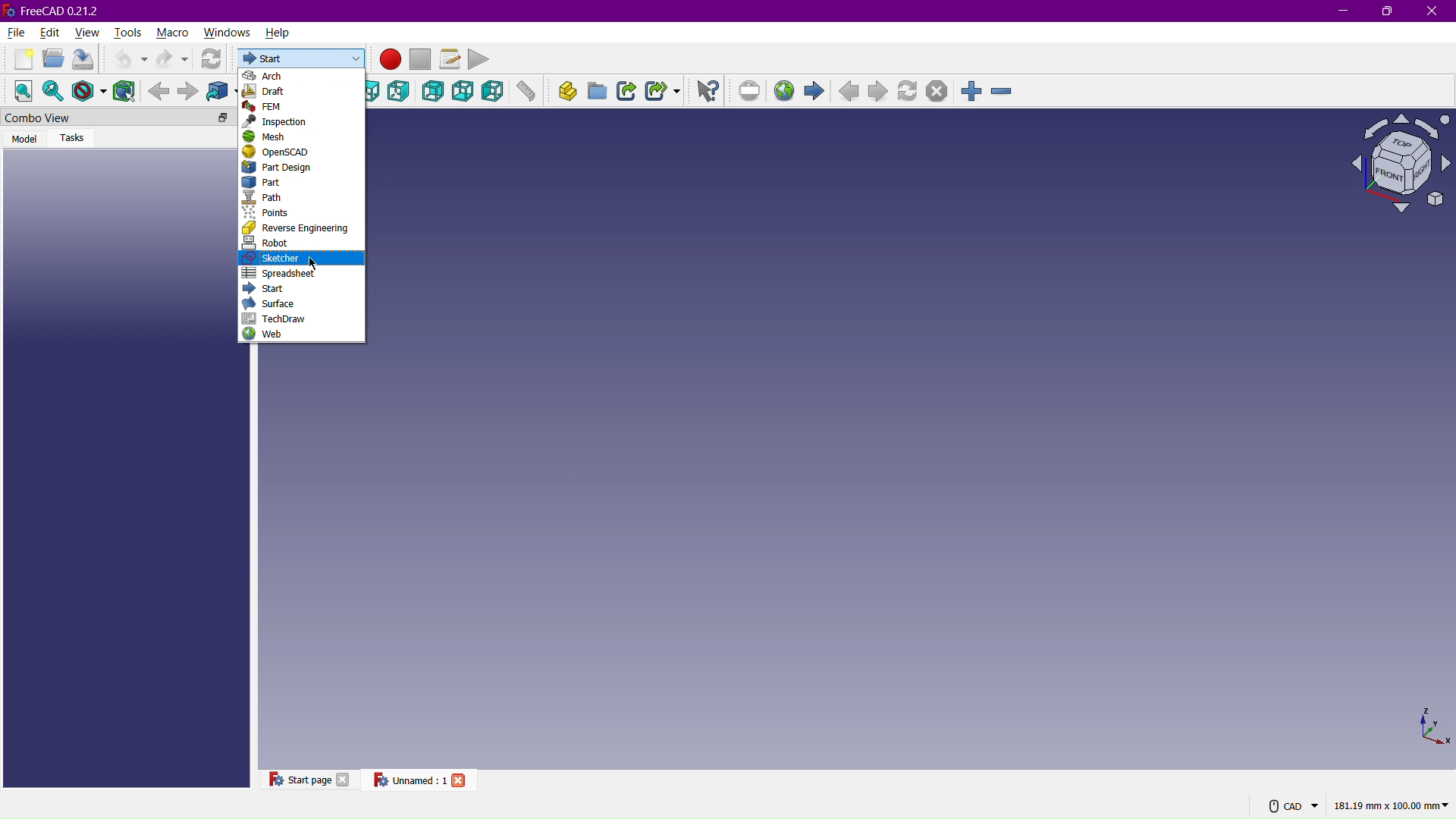  Describe the element at coordinates (1392, 806) in the screenshot. I see `181.19 mm x 100.00 mm` at that location.